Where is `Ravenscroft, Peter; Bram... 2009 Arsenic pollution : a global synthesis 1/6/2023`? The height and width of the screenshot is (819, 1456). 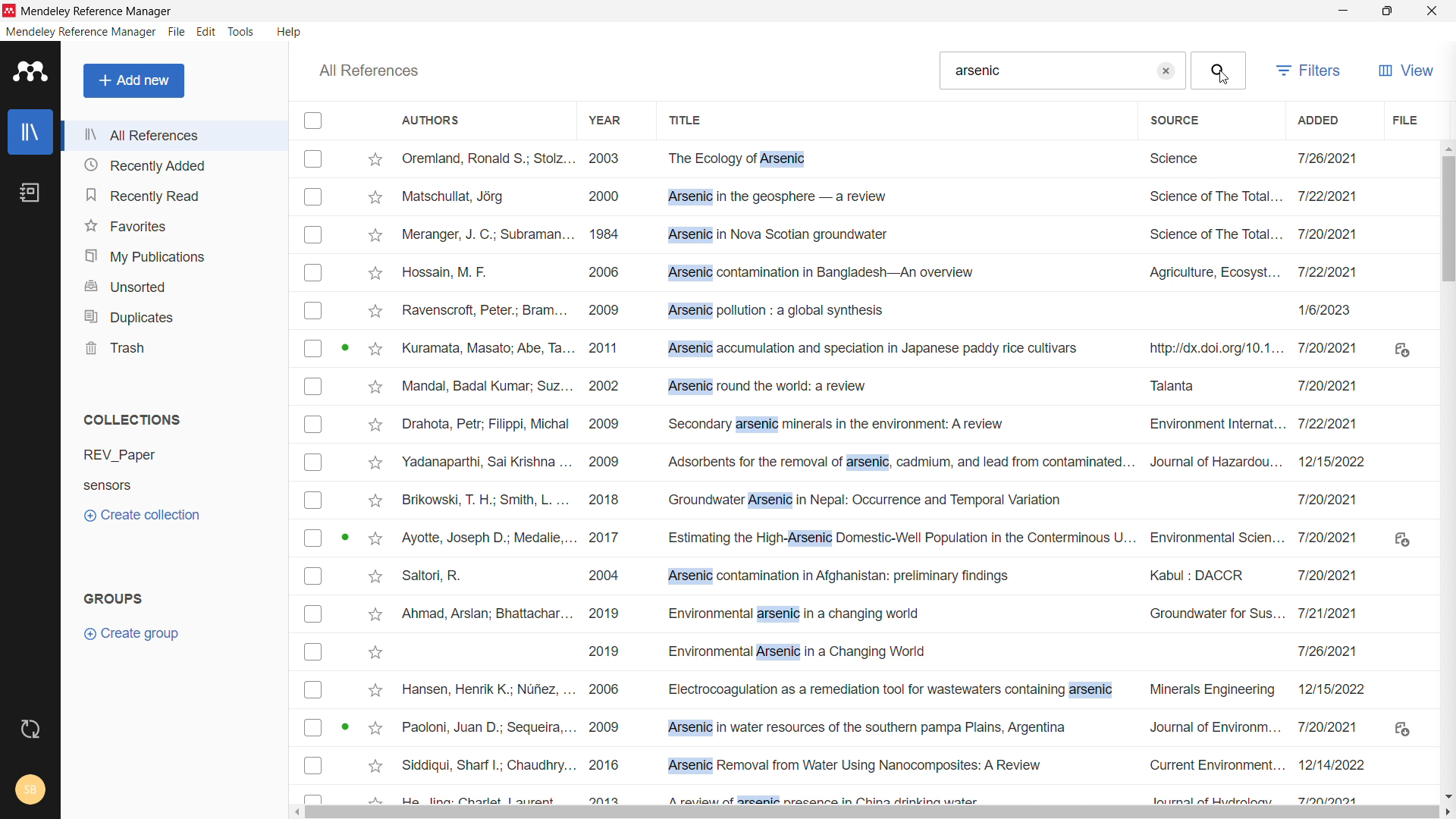
Ravenscroft, Peter; Bram... 2009 Arsenic pollution : a global synthesis 1/6/2023 is located at coordinates (886, 311).